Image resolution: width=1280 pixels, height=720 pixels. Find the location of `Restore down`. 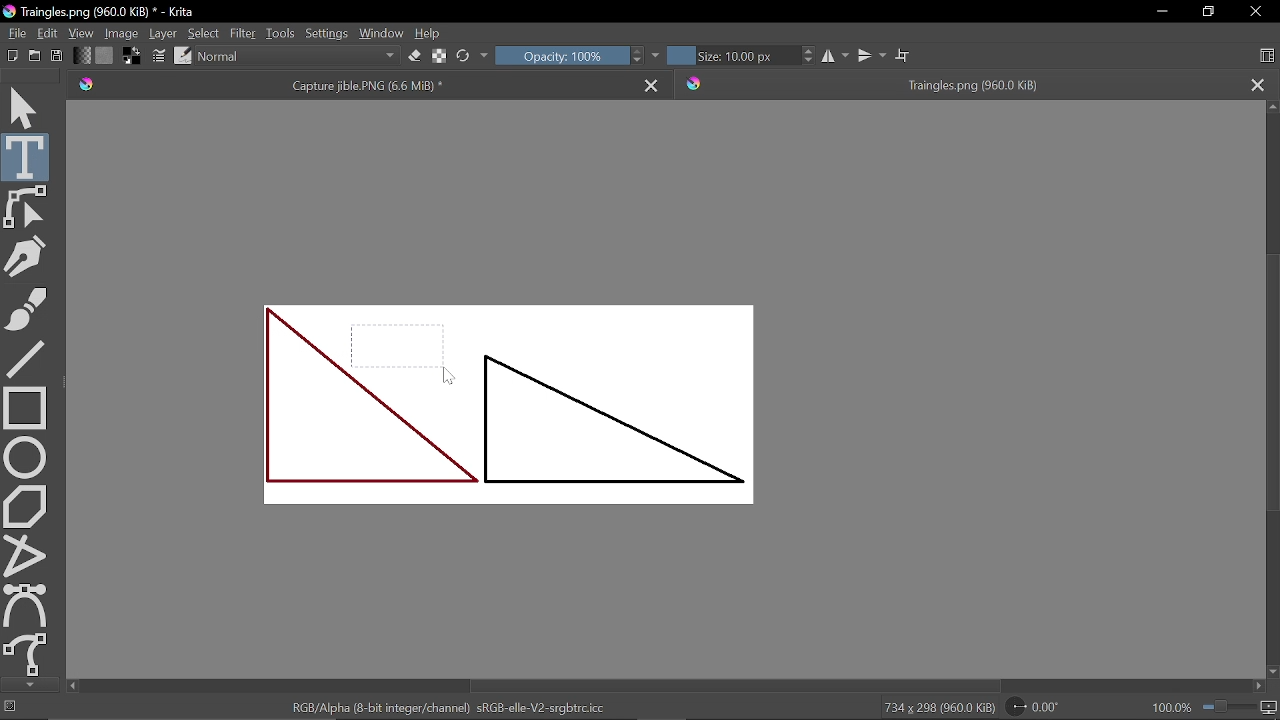

Restore down is located at coordinates (1211, 13).